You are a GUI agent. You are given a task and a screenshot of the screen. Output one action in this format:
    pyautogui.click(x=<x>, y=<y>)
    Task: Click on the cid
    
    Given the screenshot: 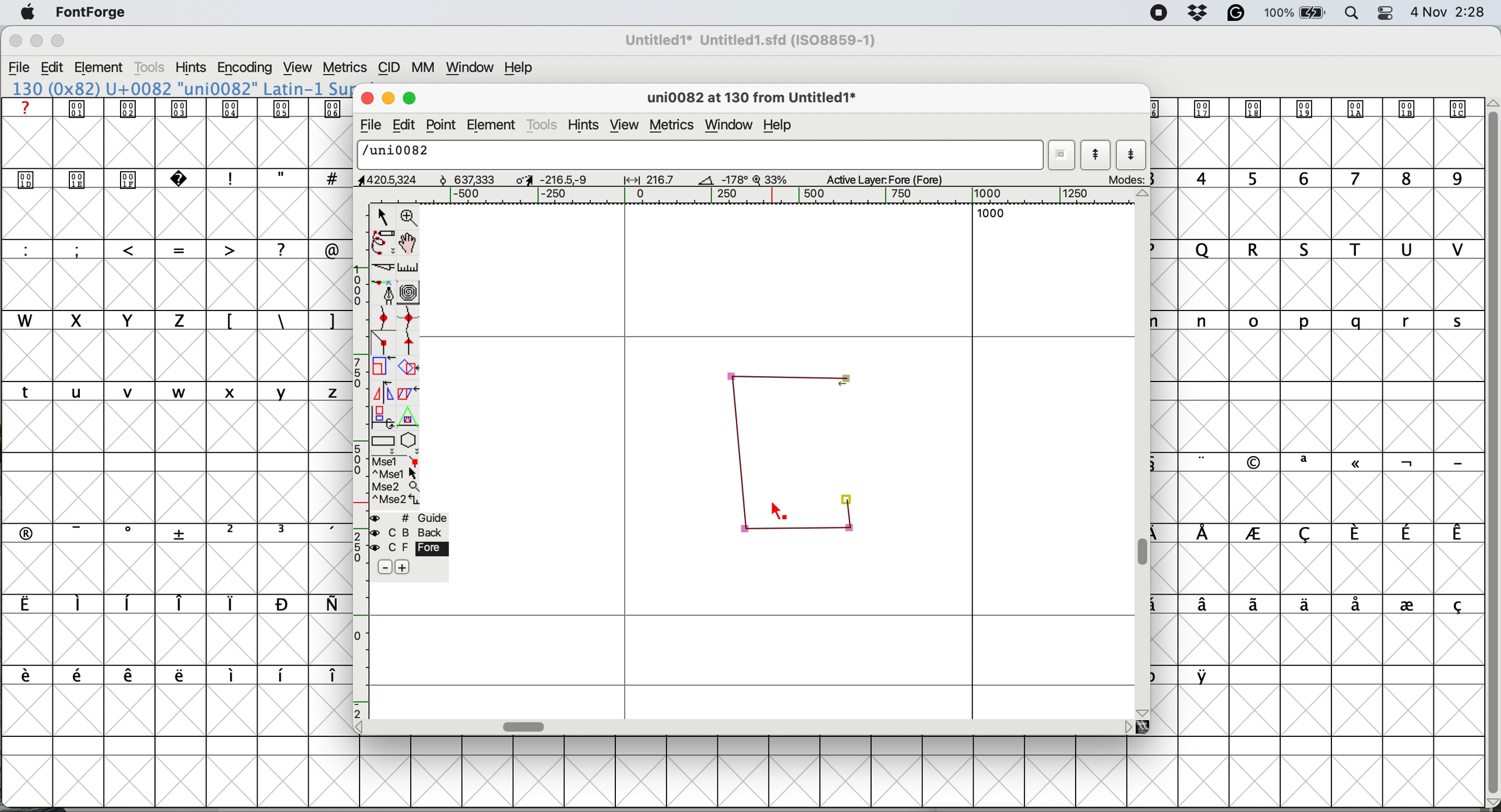 What is the action you would take?
    pyautogui.click(x=389, y=68)
    